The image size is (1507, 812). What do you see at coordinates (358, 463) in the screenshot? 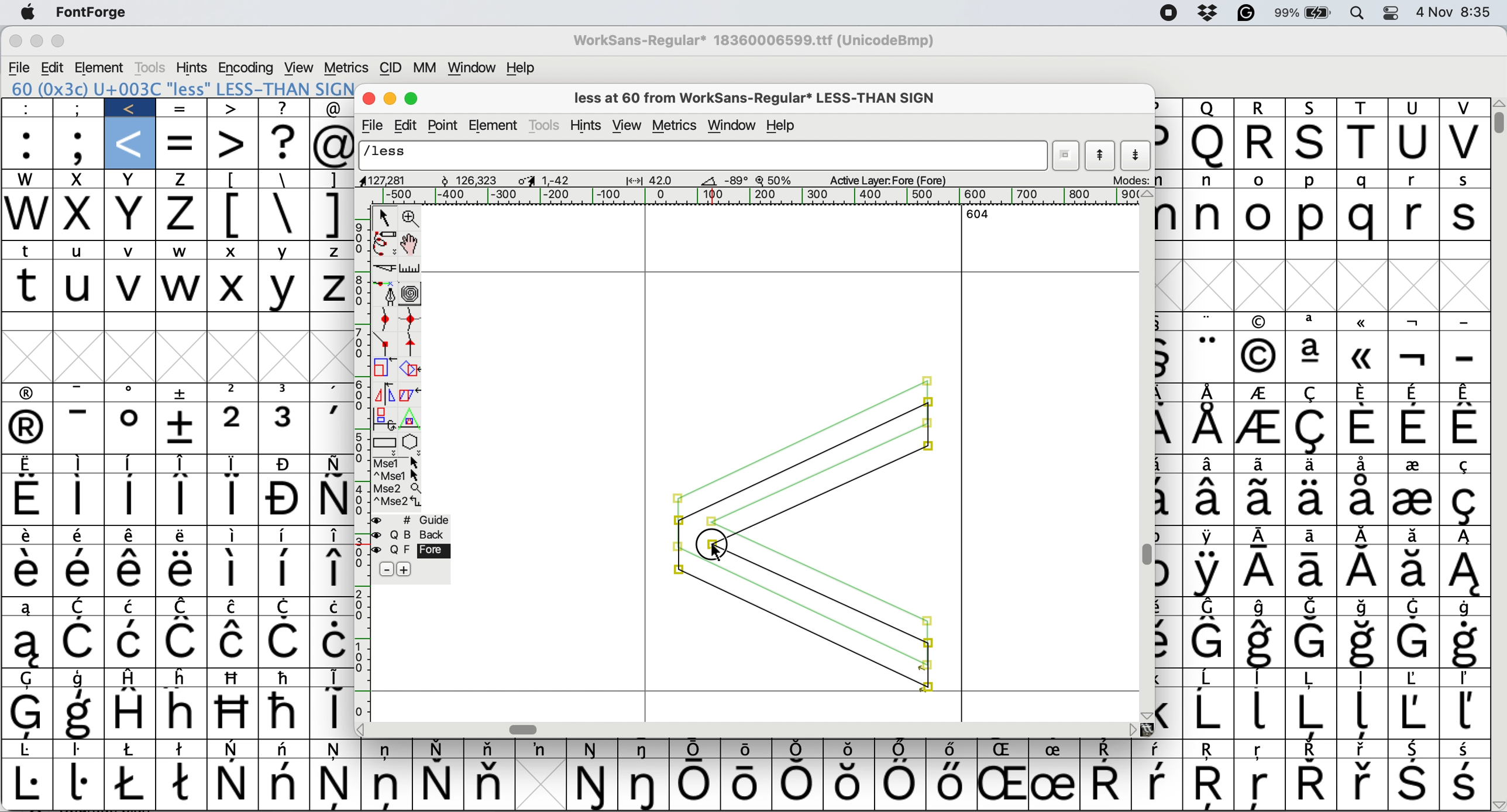
I see `vertical scale` at bounding box center [358, 463].